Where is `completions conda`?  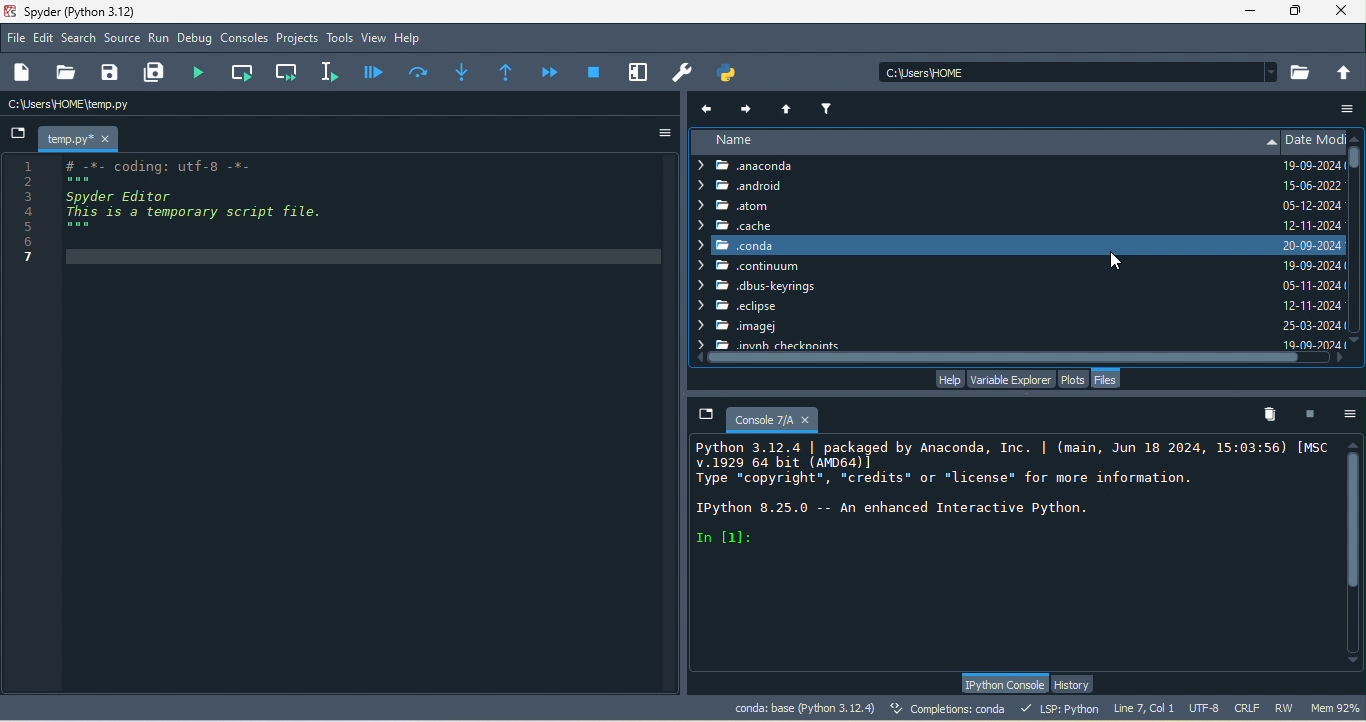
completions conda is located at coordinates (951, 710).